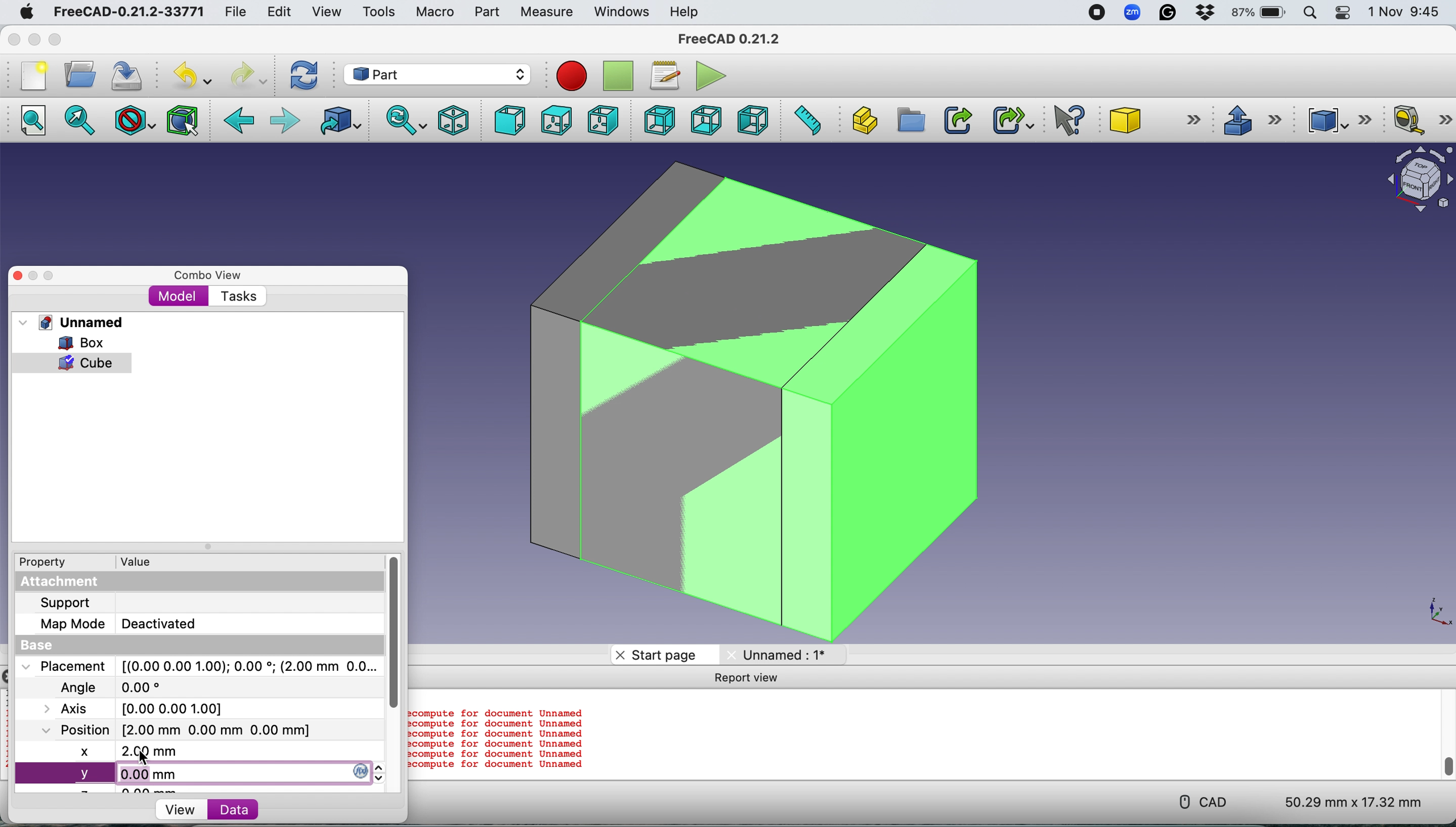  What do you see at coordinates (752, 120) in the screenshot?
I see `Left` at bounding box center [752, 120].